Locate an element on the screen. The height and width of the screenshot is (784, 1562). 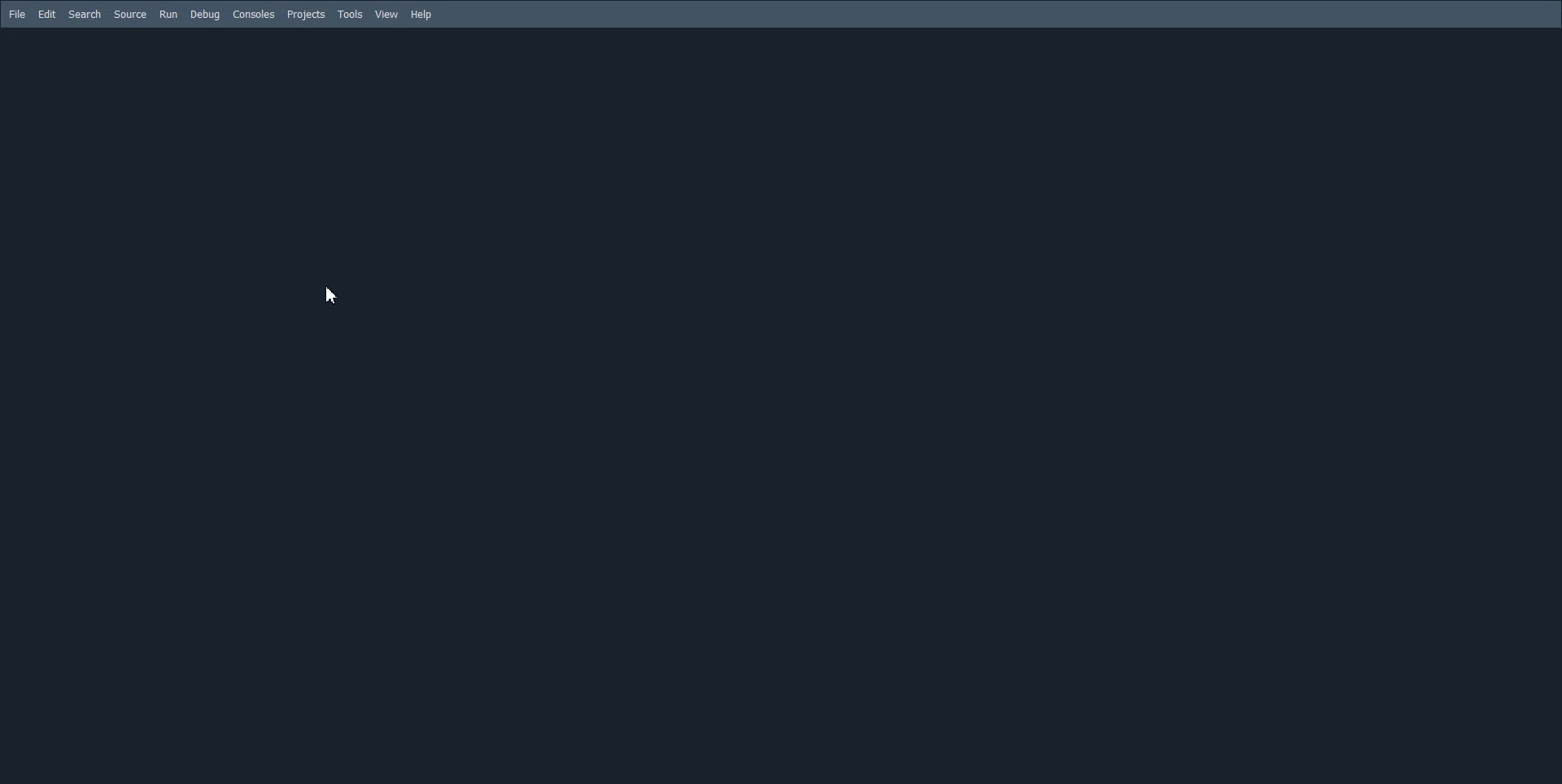
Projects is located at coordinates (306, 15).